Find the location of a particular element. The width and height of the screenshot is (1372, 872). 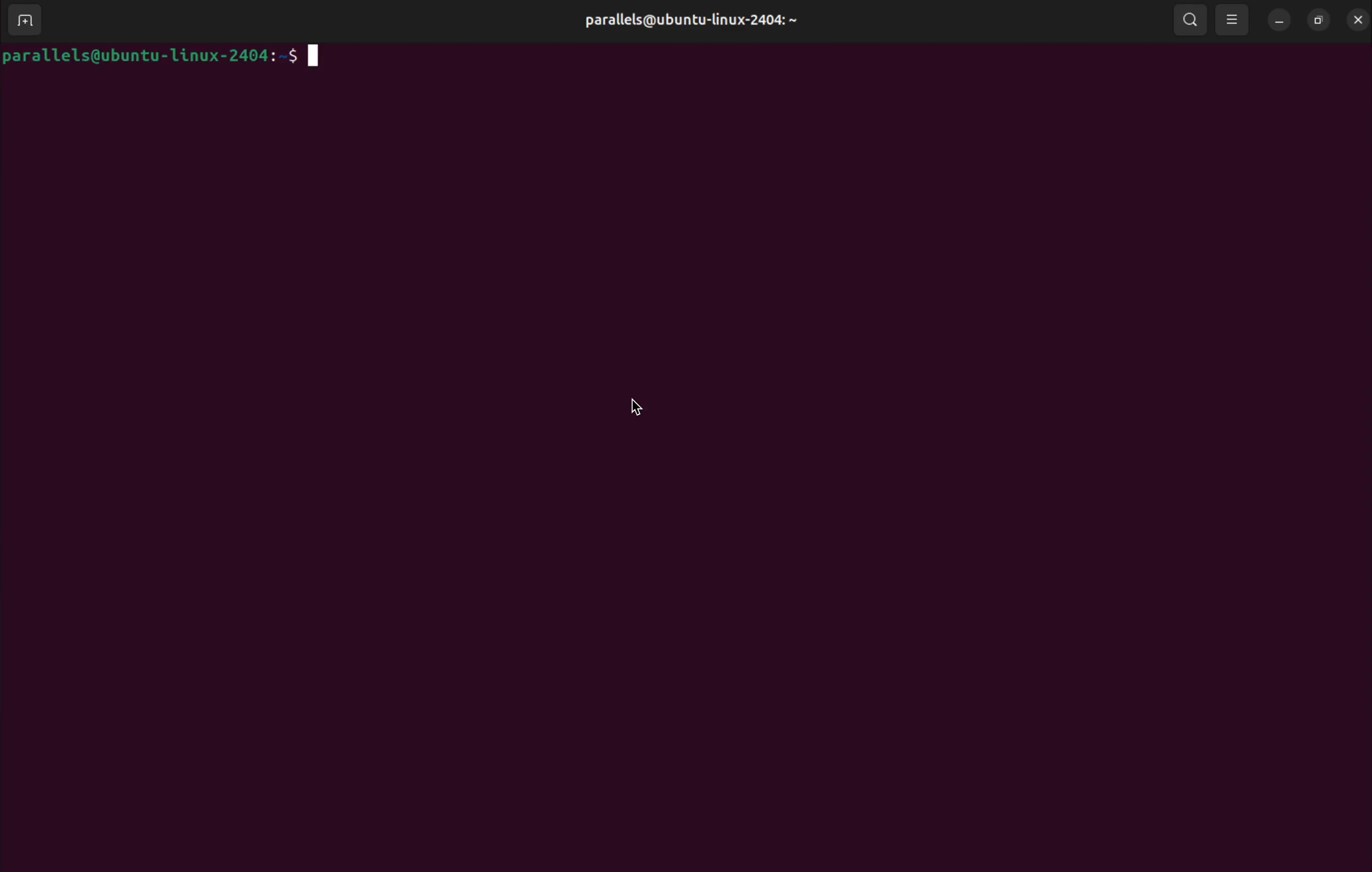

cursor is located at coordinates (638, 405).